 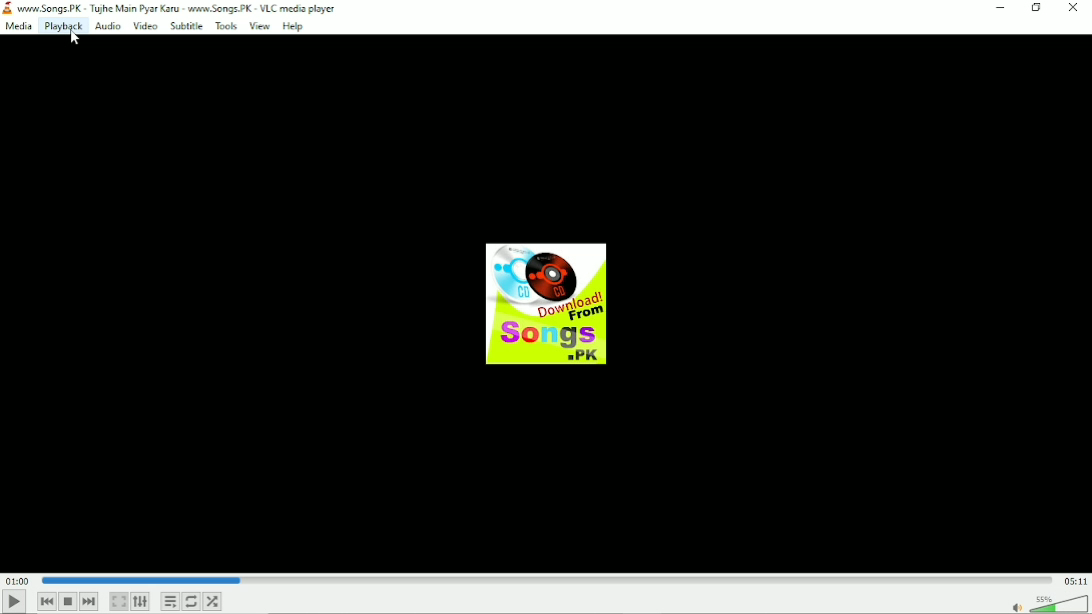 What do you see at coordinates (212, 602) in the screenshot?
I see `Random` at bounding box center [212, 602].